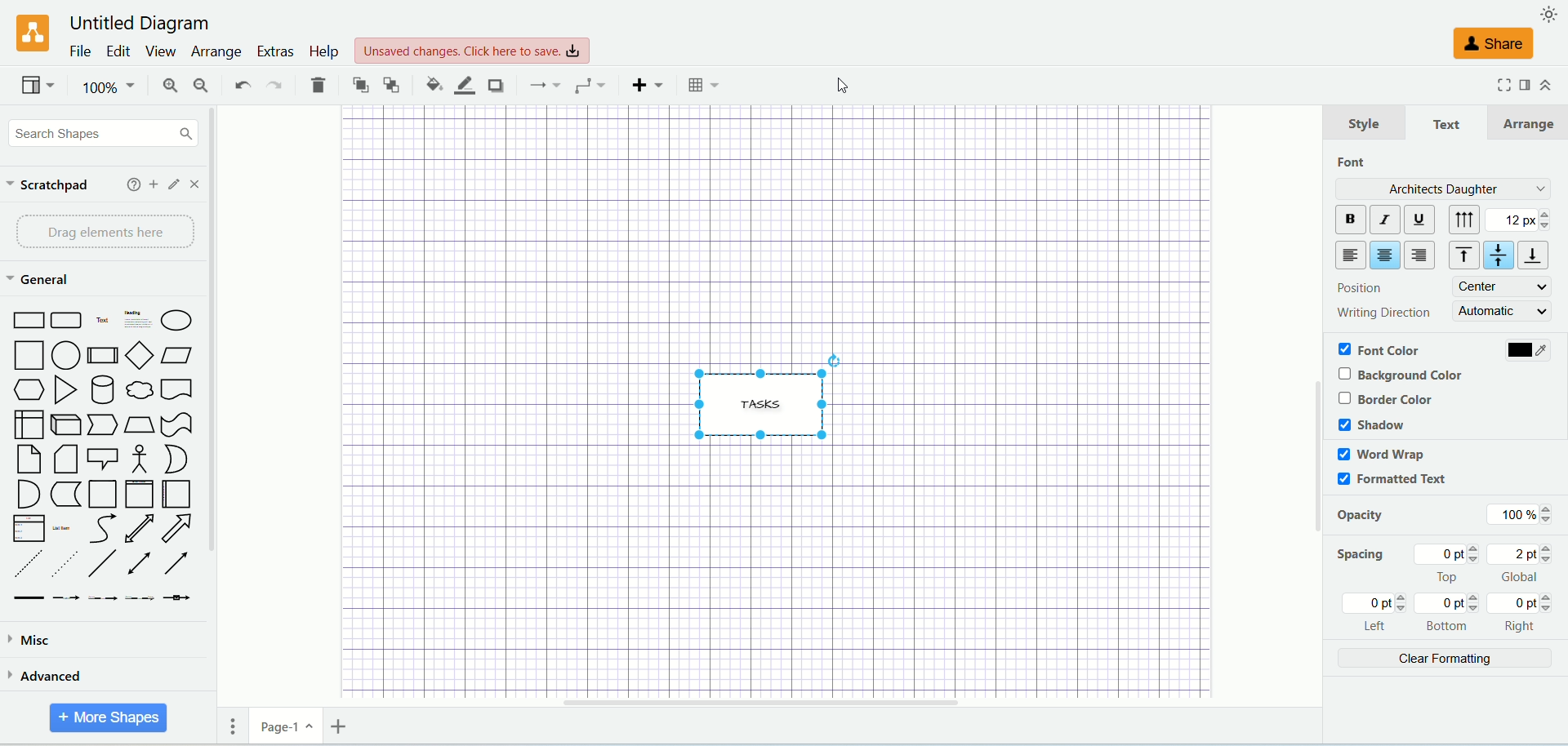  What do you see at coordinates (158, 51) in the screenshot?
I see `view` at bounding box center [158, 51].